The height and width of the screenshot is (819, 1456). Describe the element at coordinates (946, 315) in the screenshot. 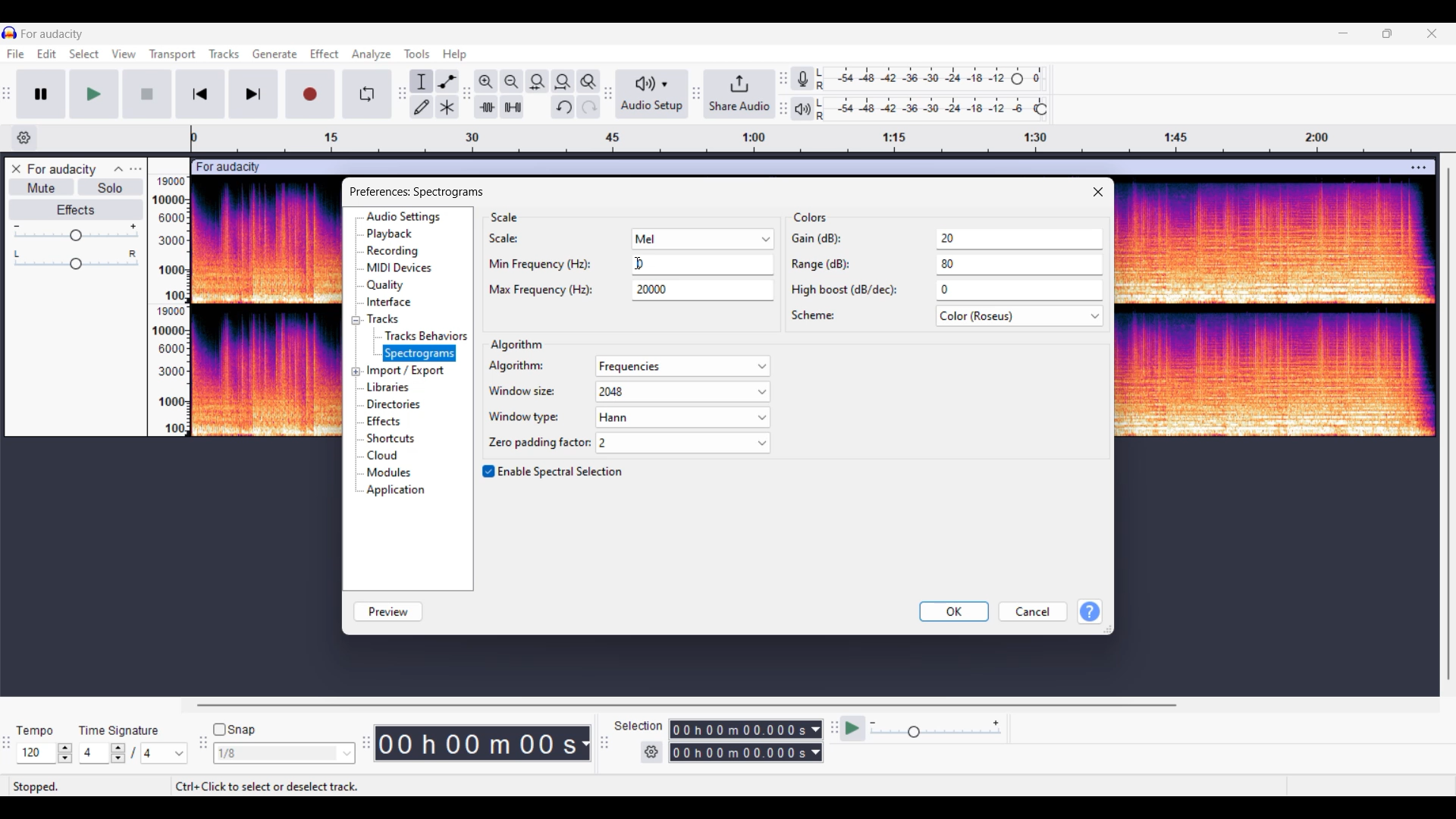

I see `scheme` at that location.